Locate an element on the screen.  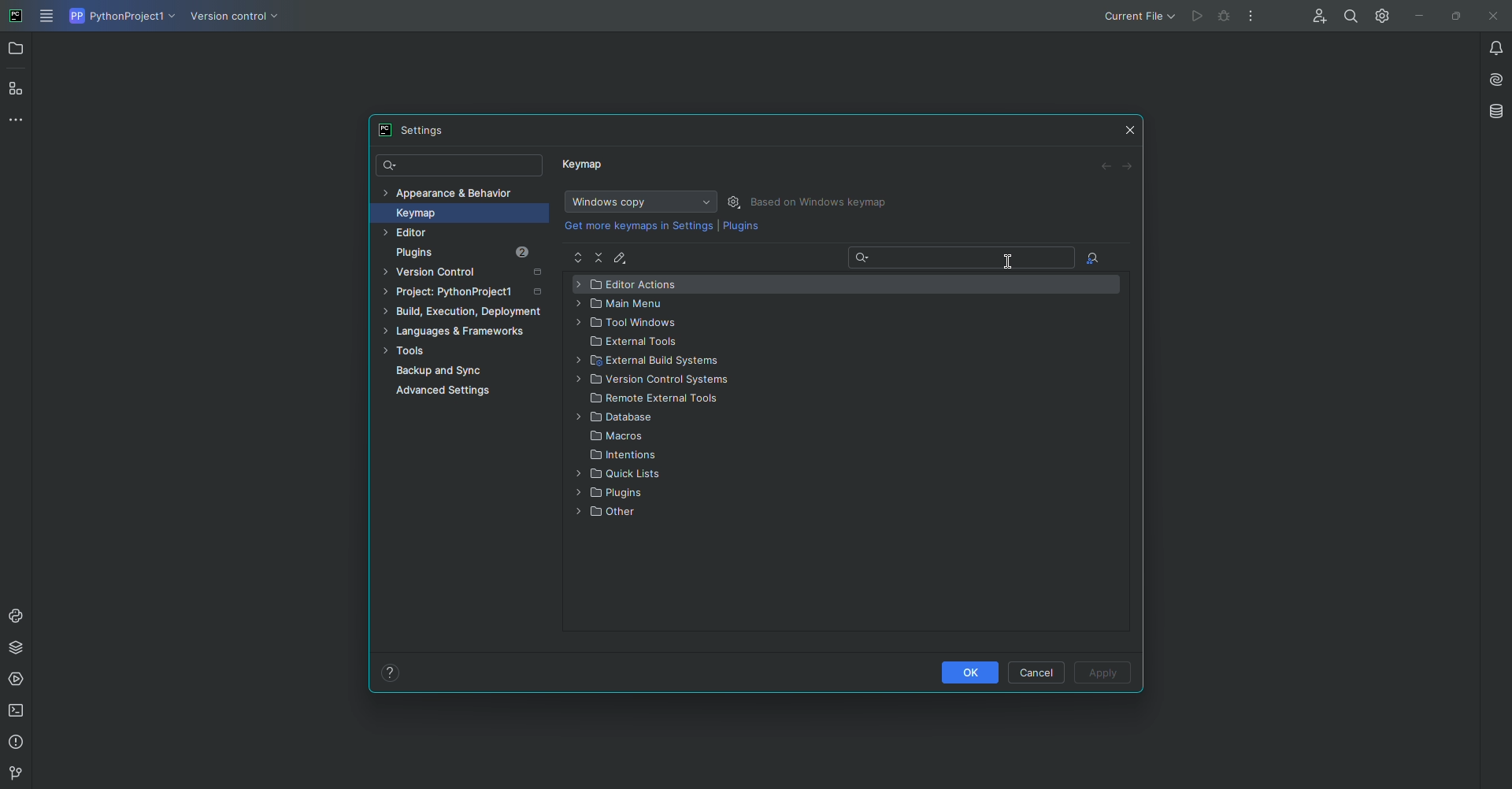
Current file is located at coordinates (1138, 16).